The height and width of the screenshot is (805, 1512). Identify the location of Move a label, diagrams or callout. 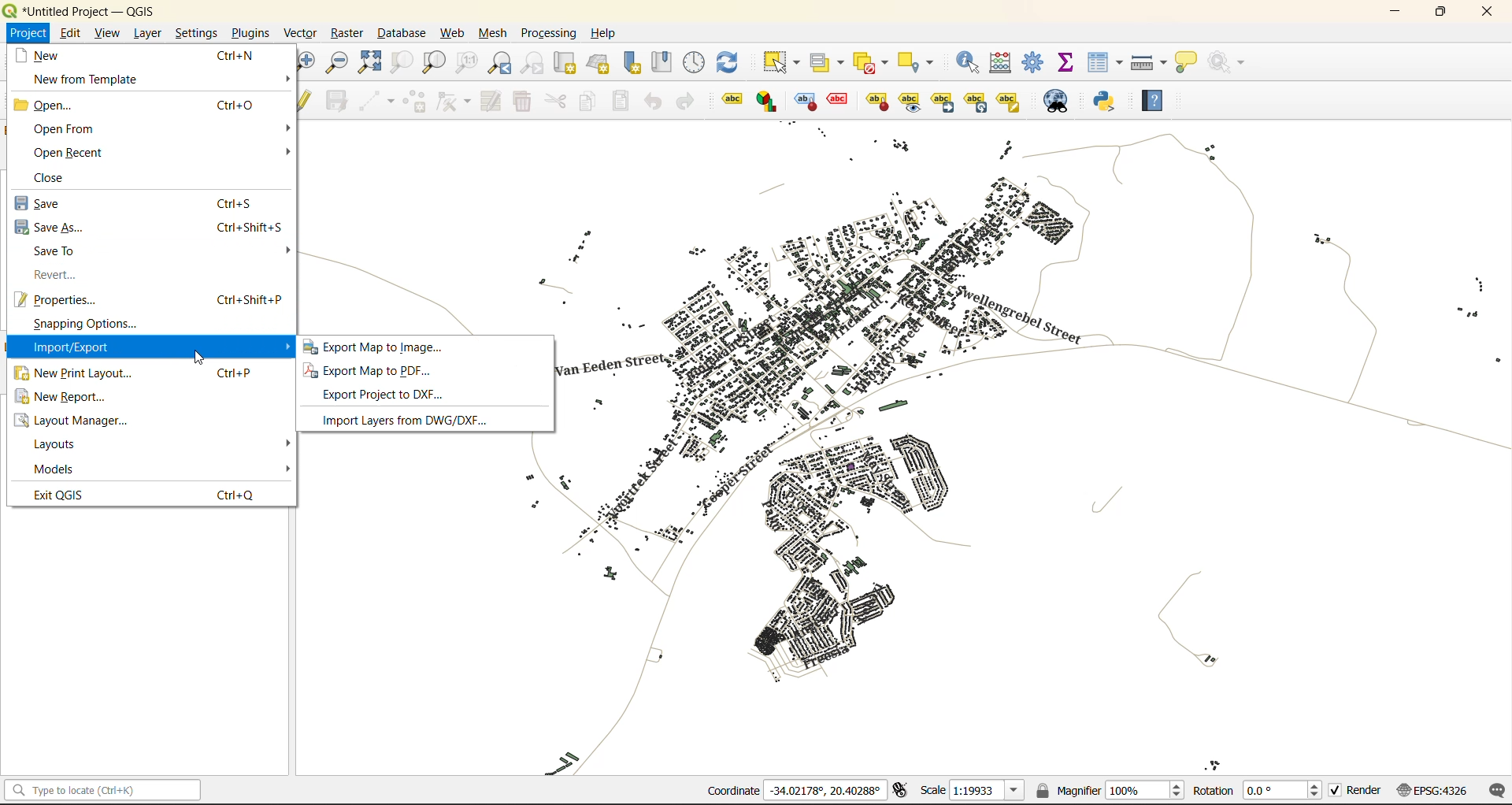
(943, 101).